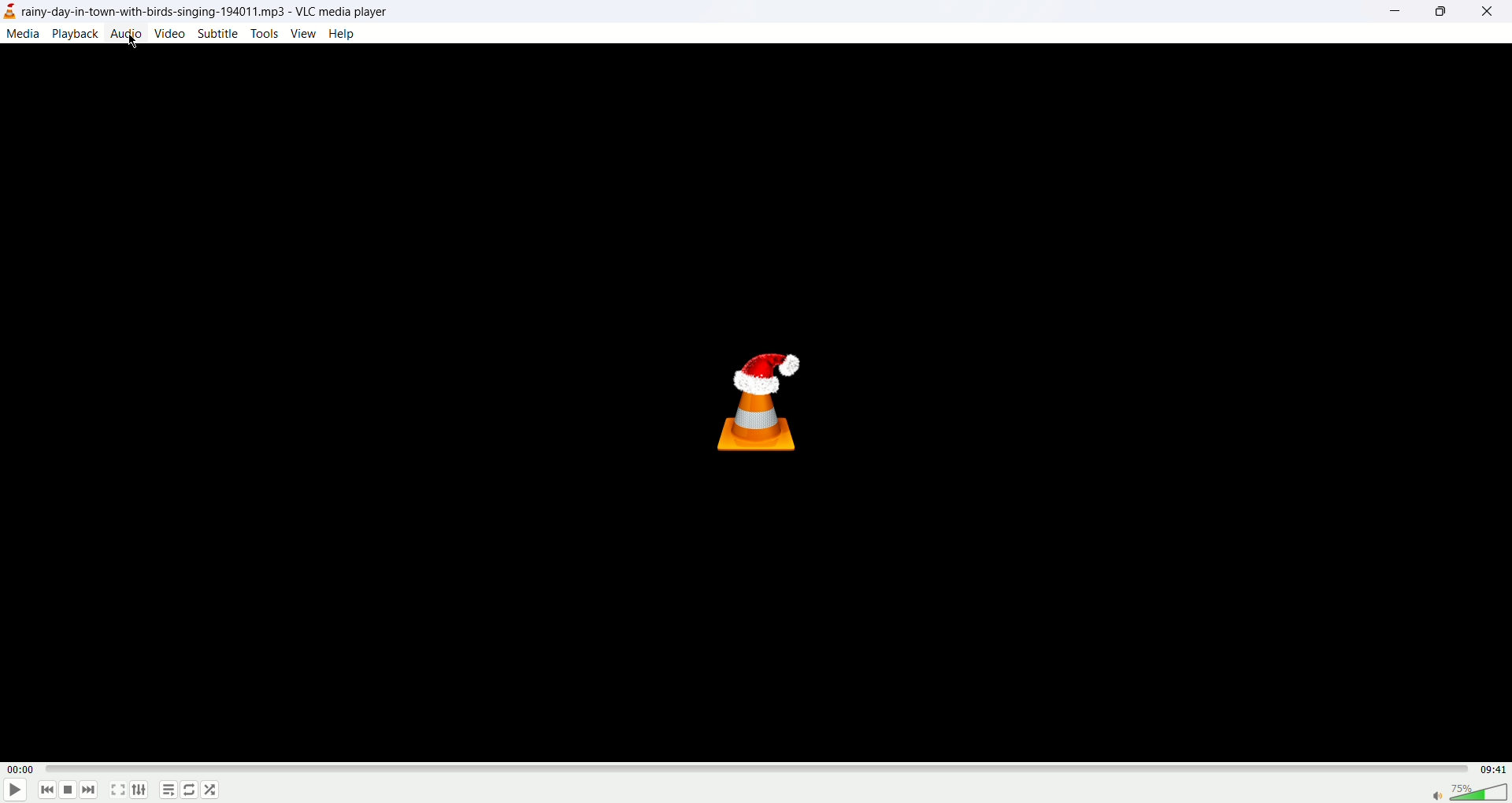  What do you see at coordinates (20, 770) in the screenshot?
I see `played time` at bounding box center [20, 770].